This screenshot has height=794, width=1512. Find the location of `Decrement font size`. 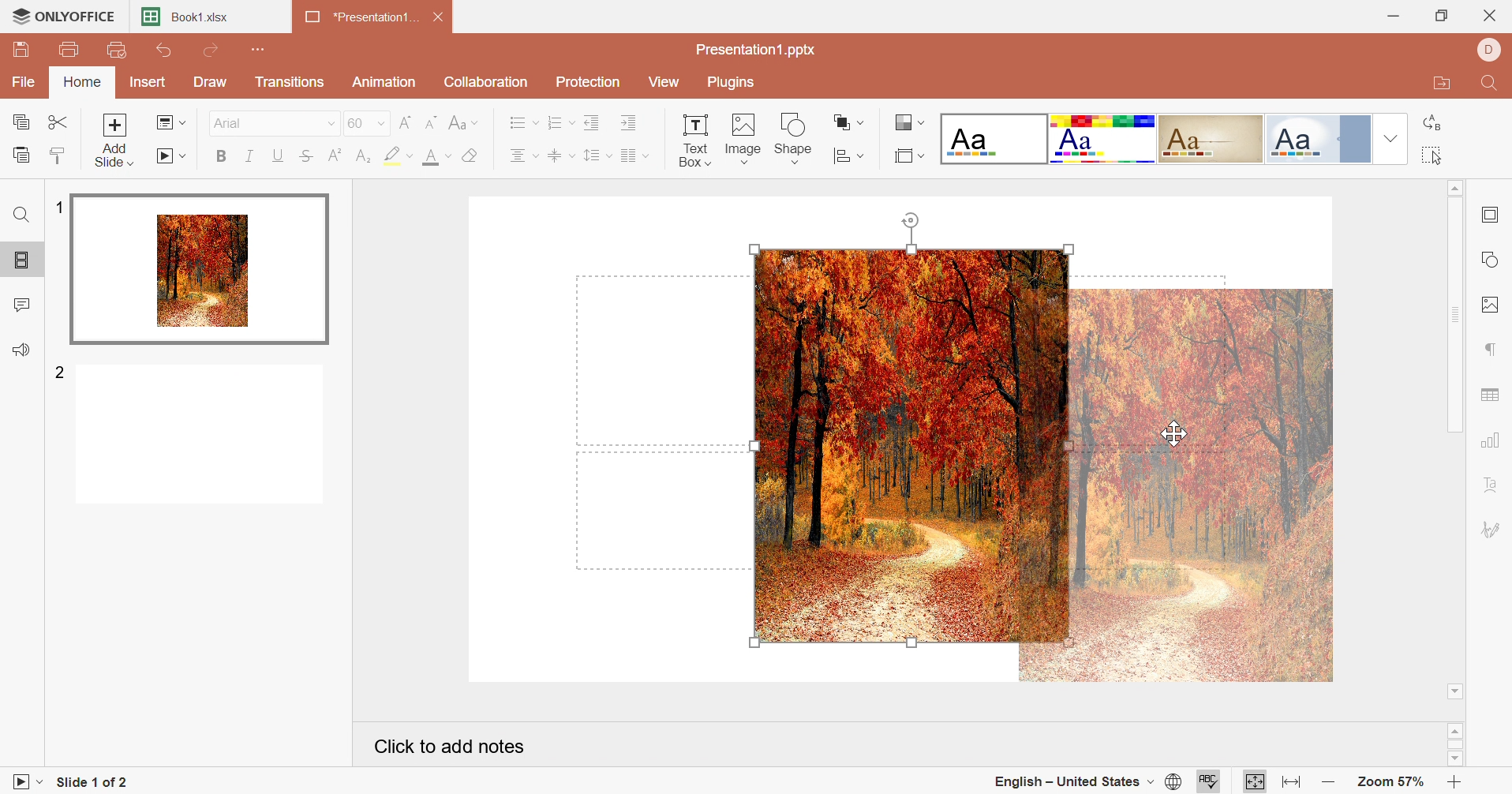

Decrement font size is located at coordinates (434, 122).